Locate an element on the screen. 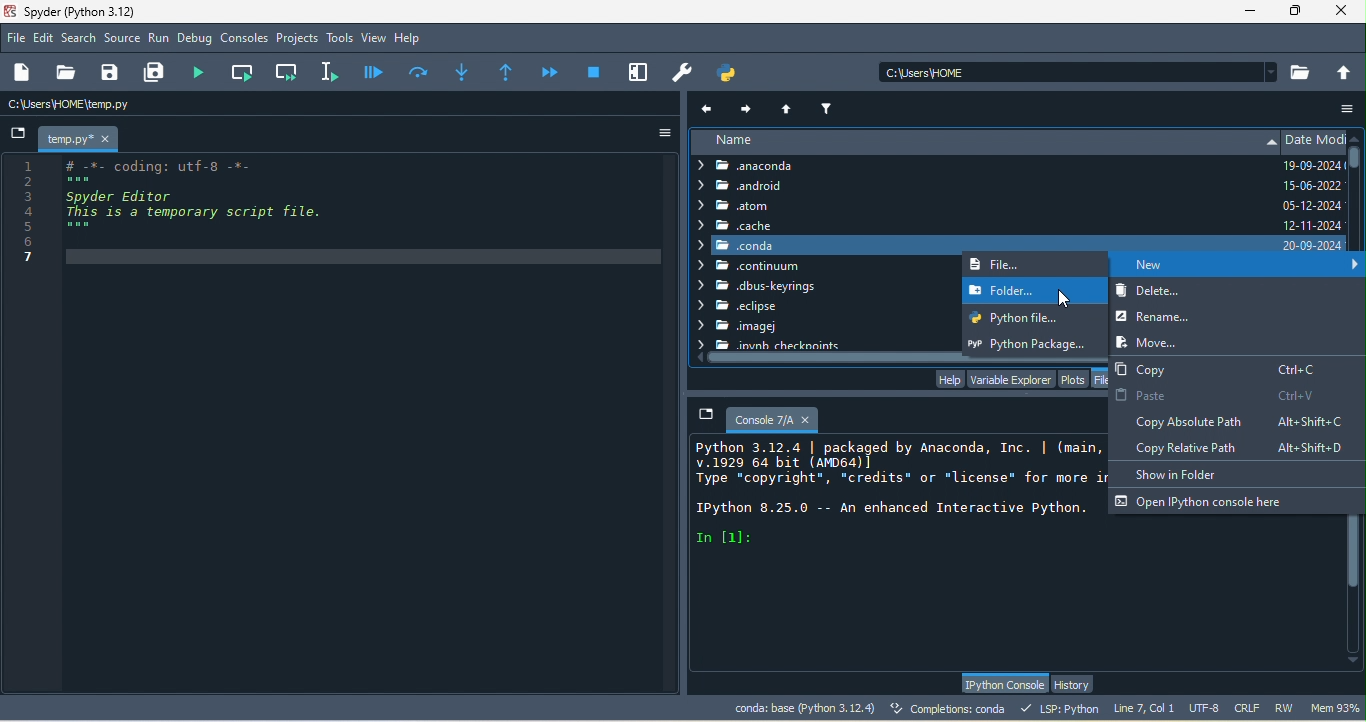 The height and width of the screenshot is (722, 1366). preferences is located at coordinates (684, 73).